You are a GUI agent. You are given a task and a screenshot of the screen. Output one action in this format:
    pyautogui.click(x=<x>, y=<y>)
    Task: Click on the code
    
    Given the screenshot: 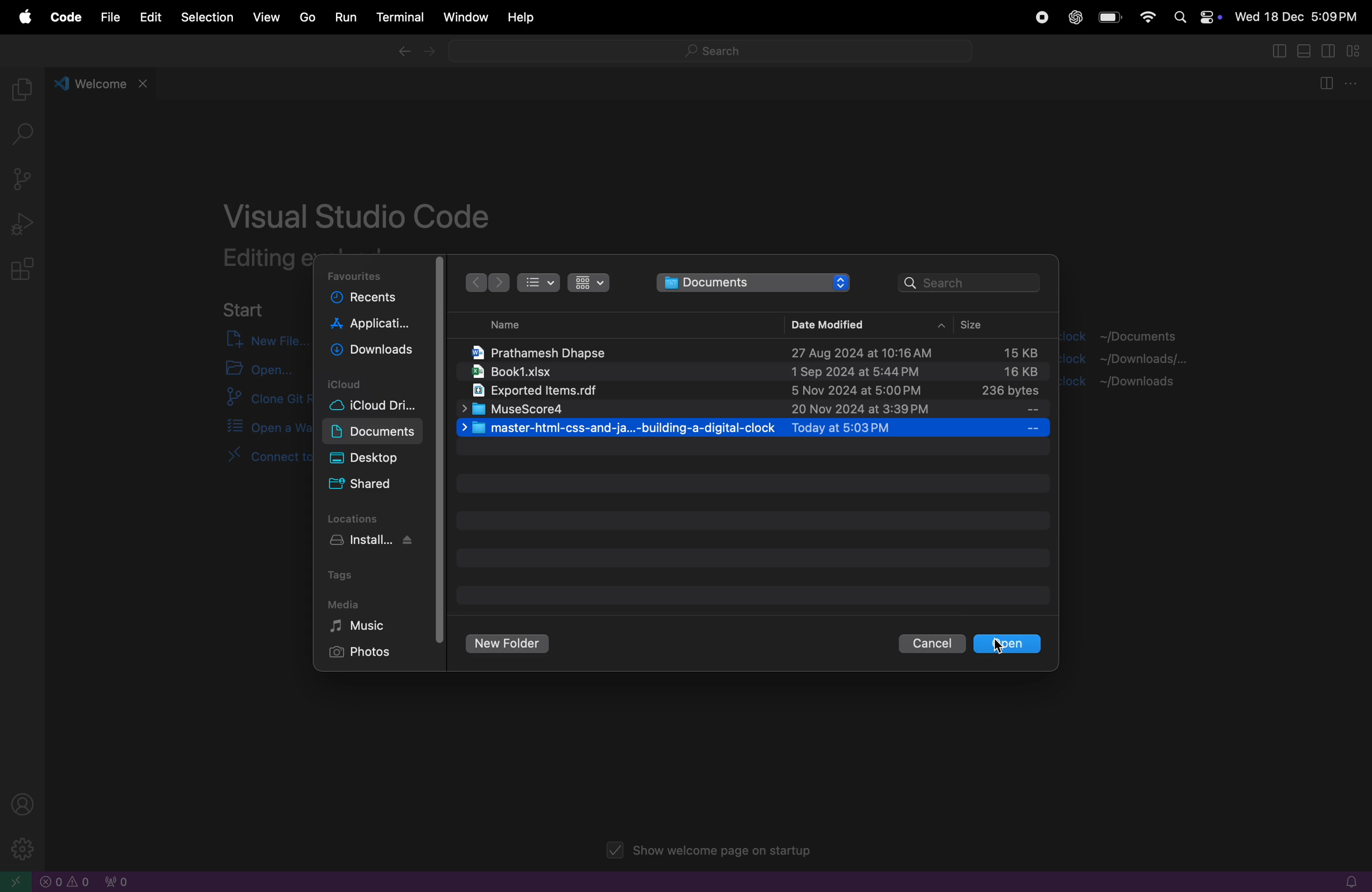 What is the action you would take?
    pyautogui.click(x=63, y=18)
    